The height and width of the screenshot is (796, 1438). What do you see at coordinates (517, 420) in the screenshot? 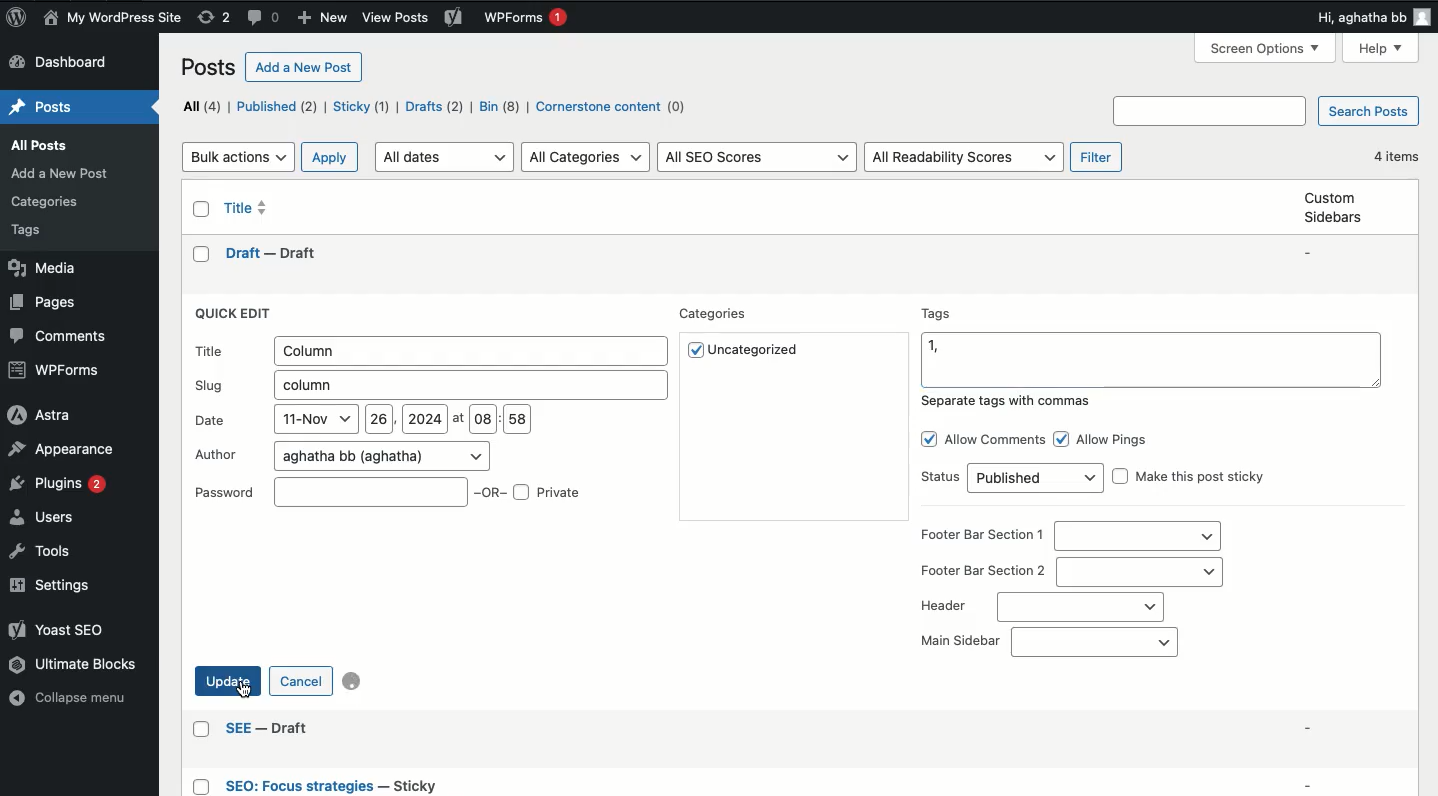
I see `58` at bounding box center [517, 420].